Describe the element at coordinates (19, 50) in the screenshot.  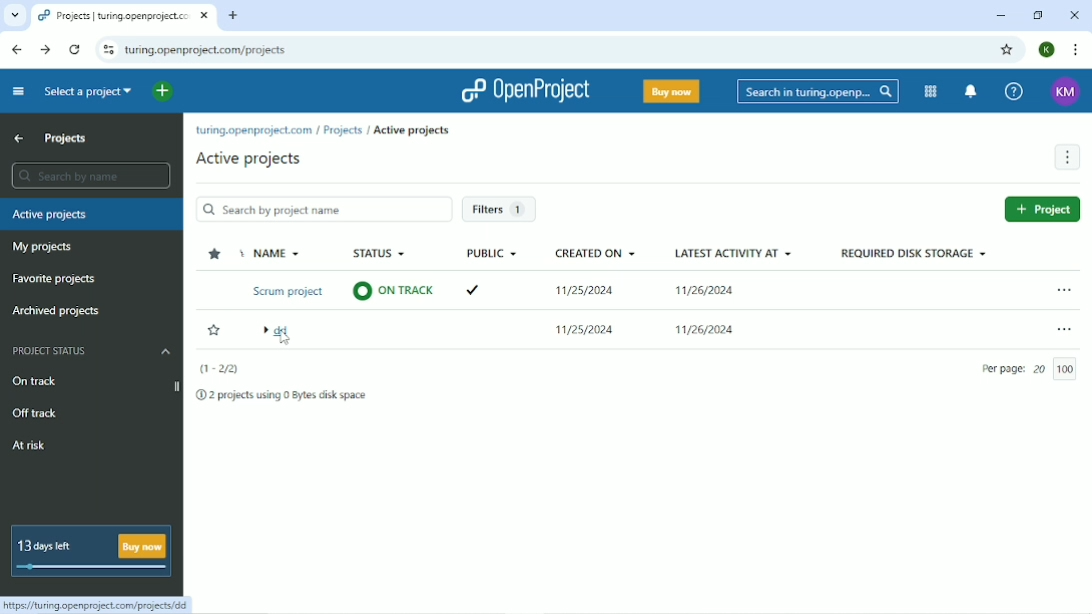
I see `Back` at that location.